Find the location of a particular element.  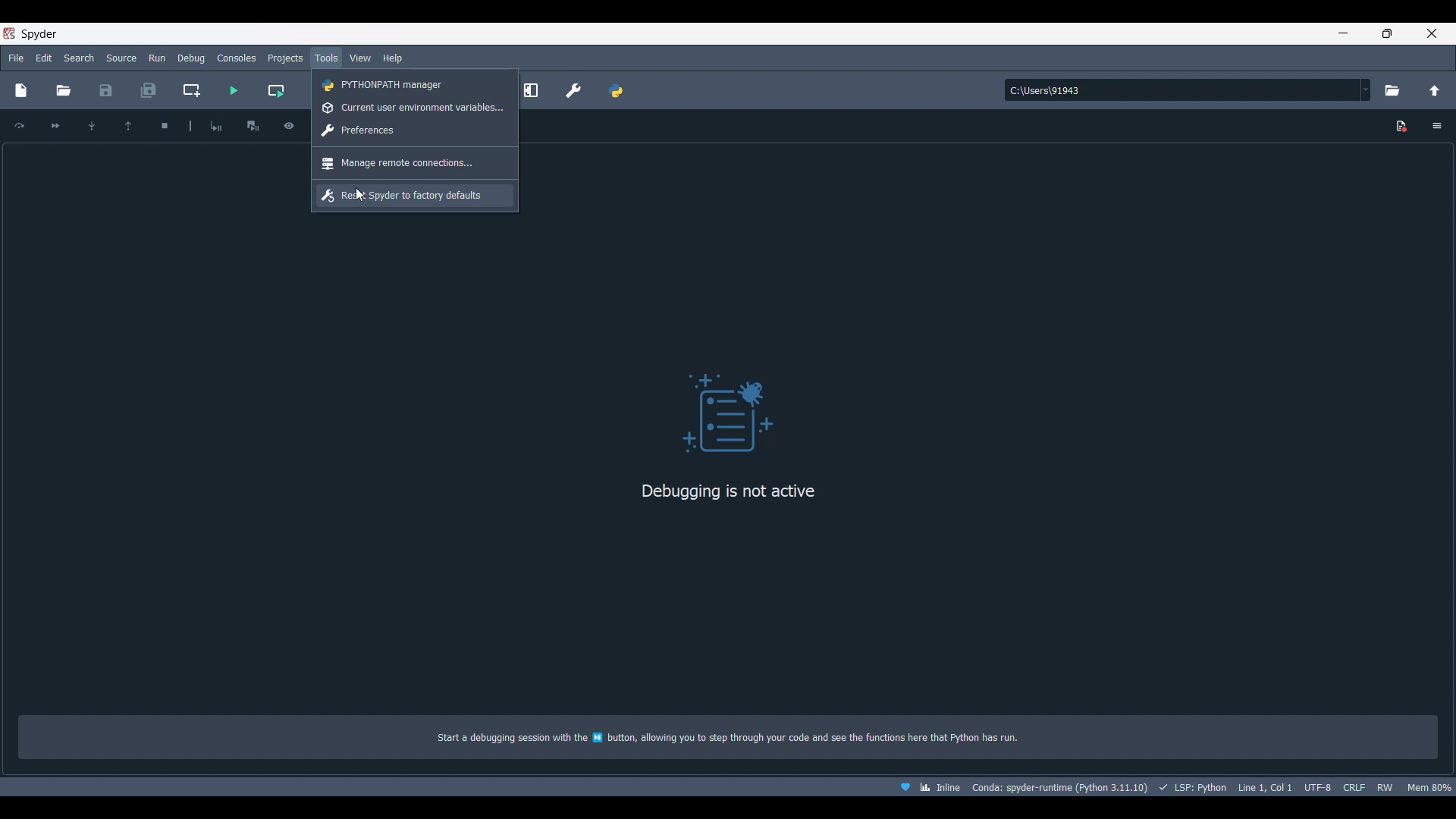

Options is located at coordinates (1436, 125).